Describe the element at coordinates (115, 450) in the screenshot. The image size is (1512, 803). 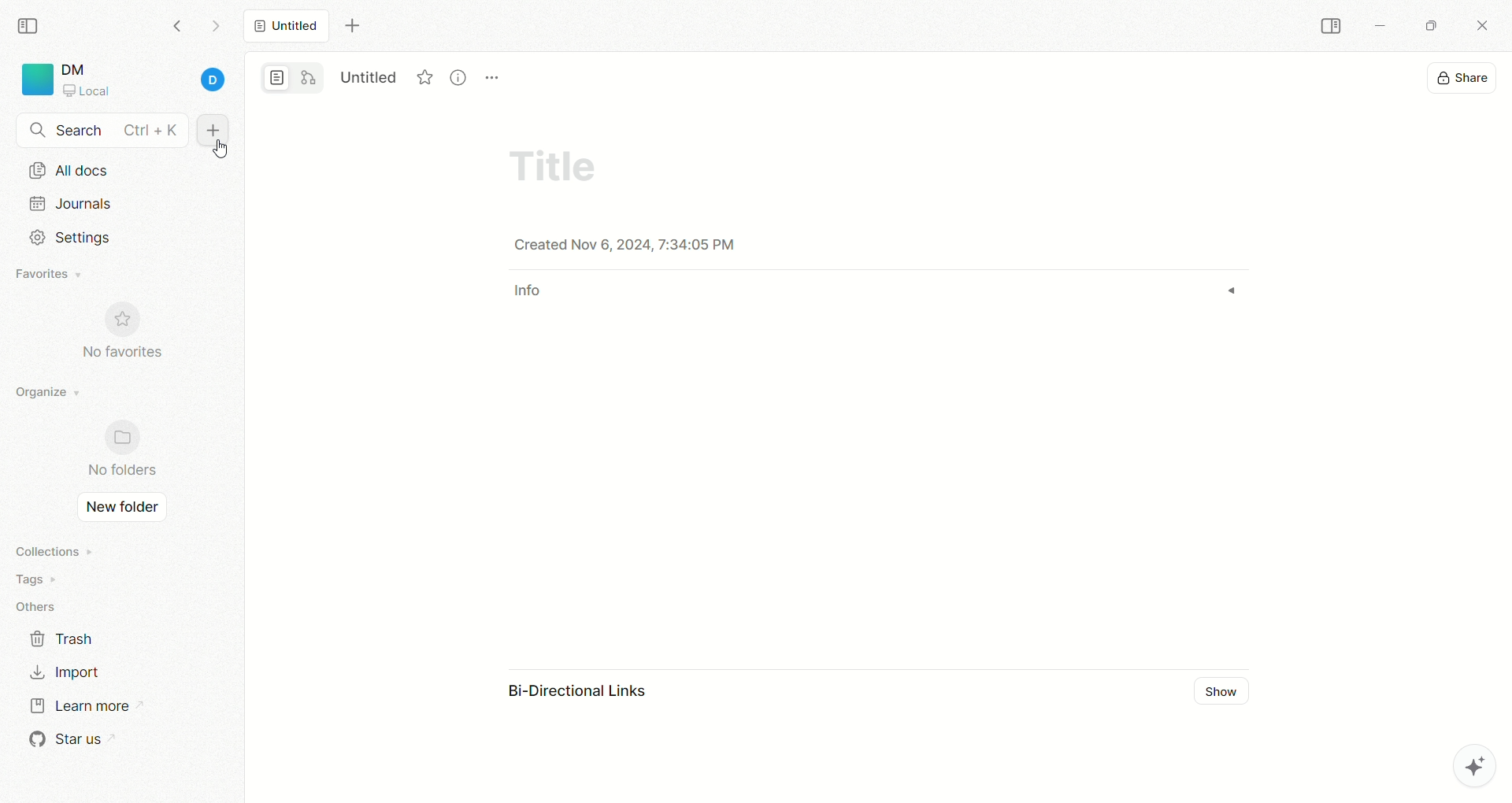
I see `no folder` at that location.